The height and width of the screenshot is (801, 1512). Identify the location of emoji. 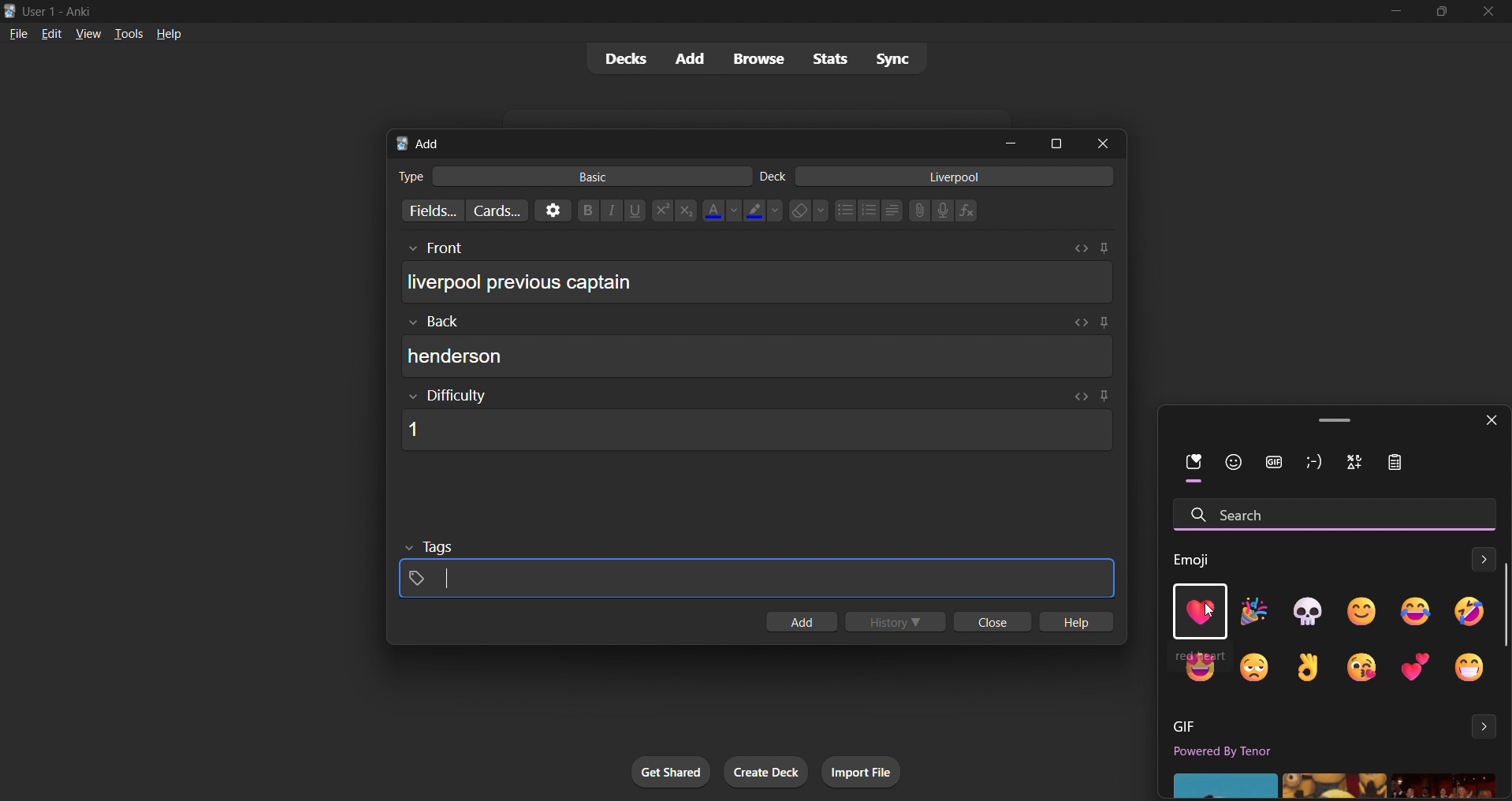
(1254, 613).